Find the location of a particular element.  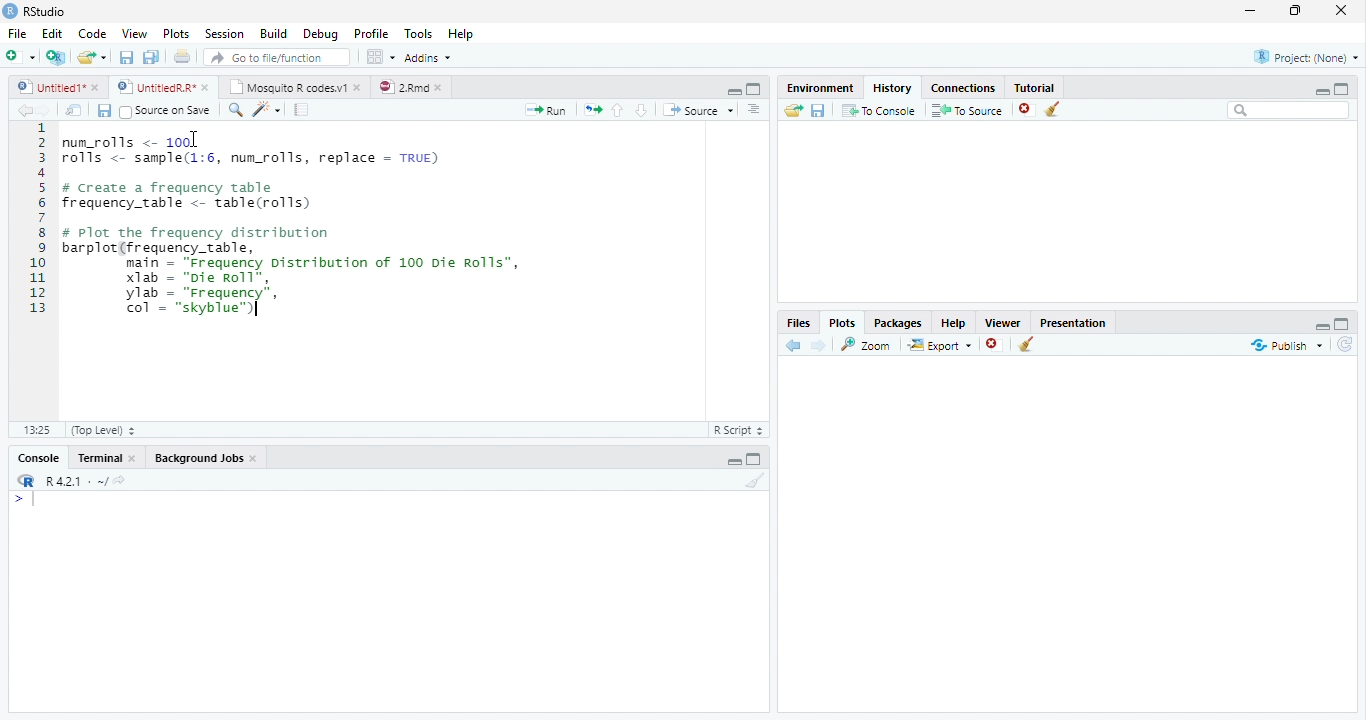

Packages is located at coordinates (899, 322).